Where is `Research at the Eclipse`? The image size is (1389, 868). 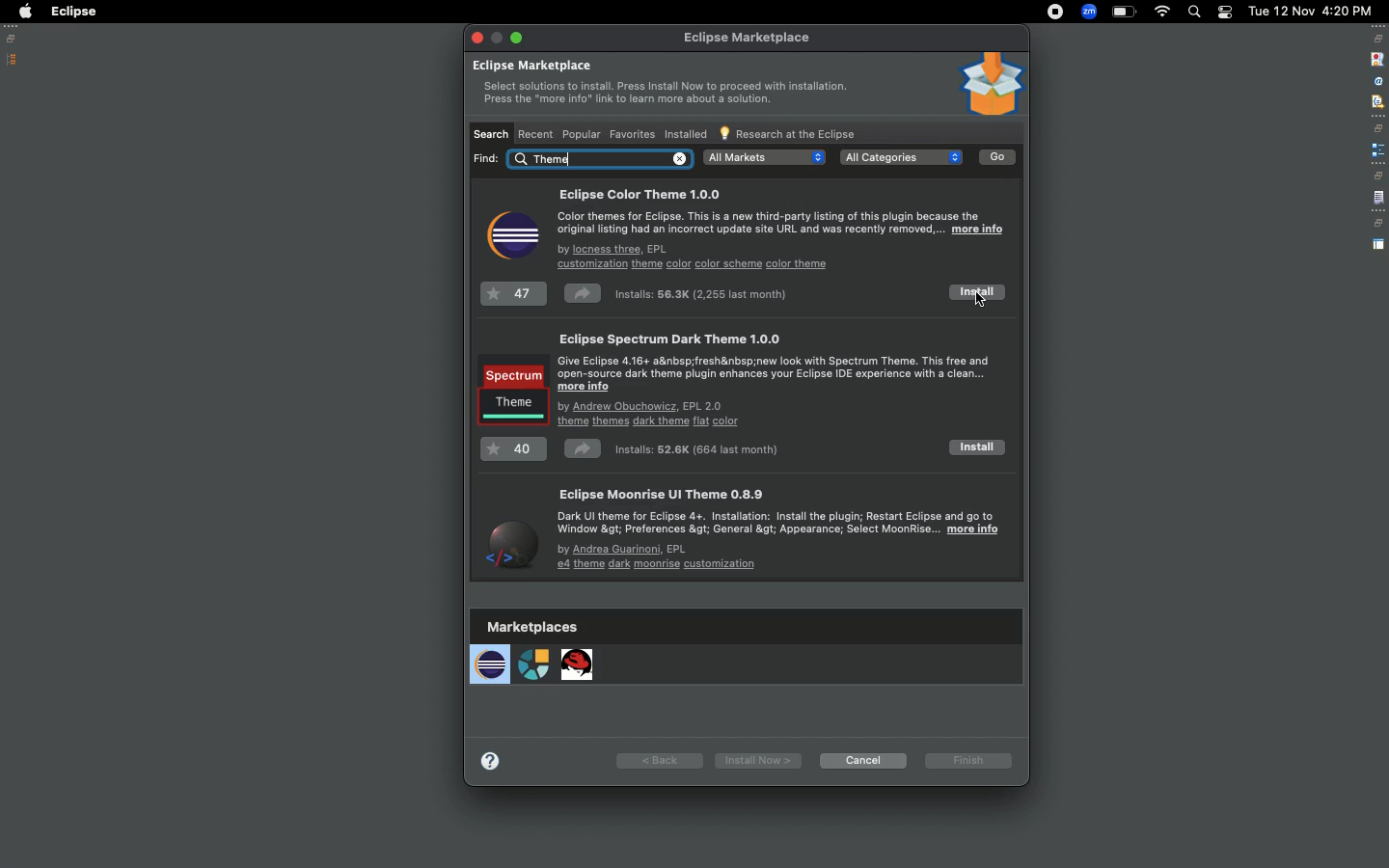
Research at the Eclipse is located at coordinates (788, 132).